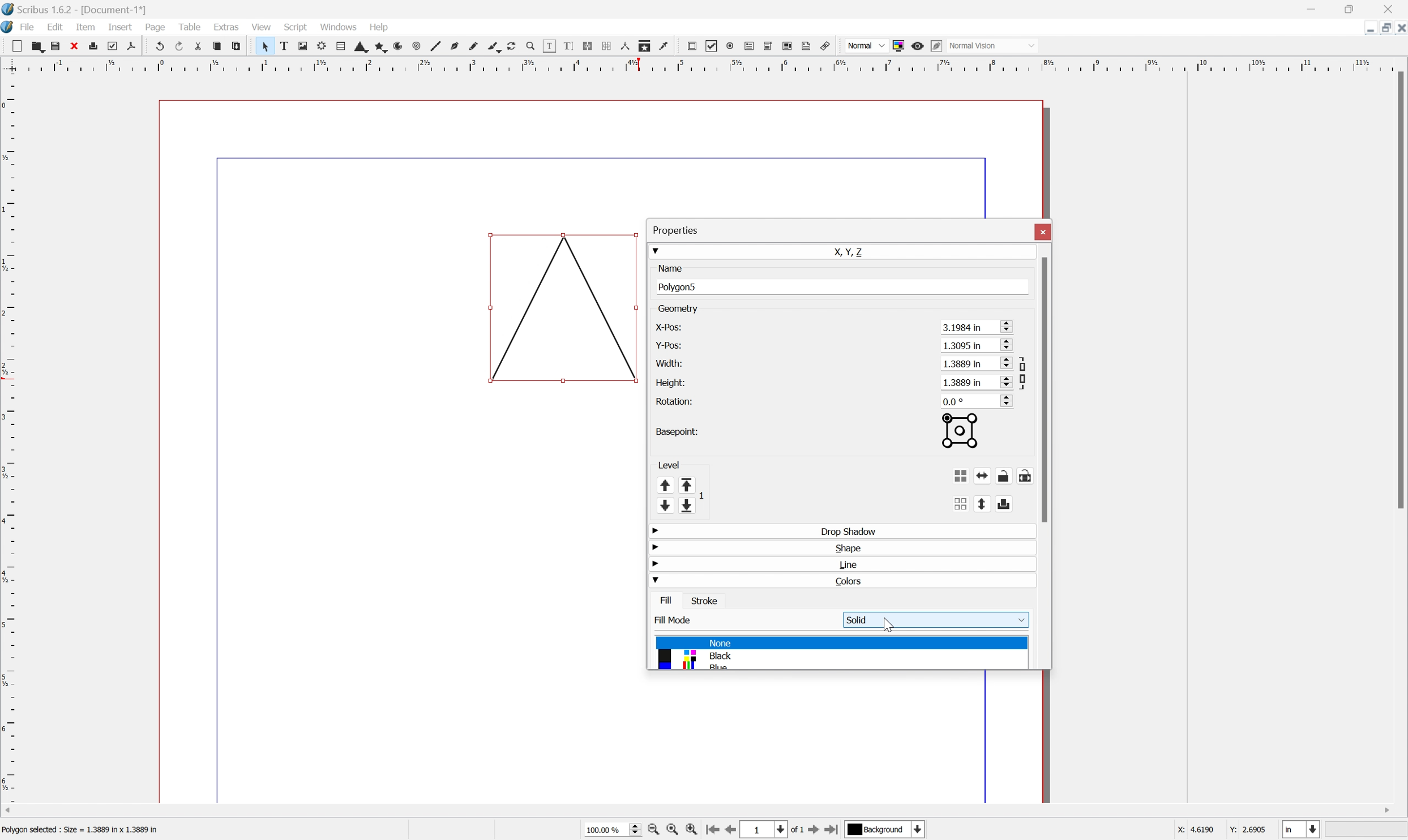 Image resolution: width=1408 pixels, height=840 pixels. I want to click on Rotation:, so click(679, 401).